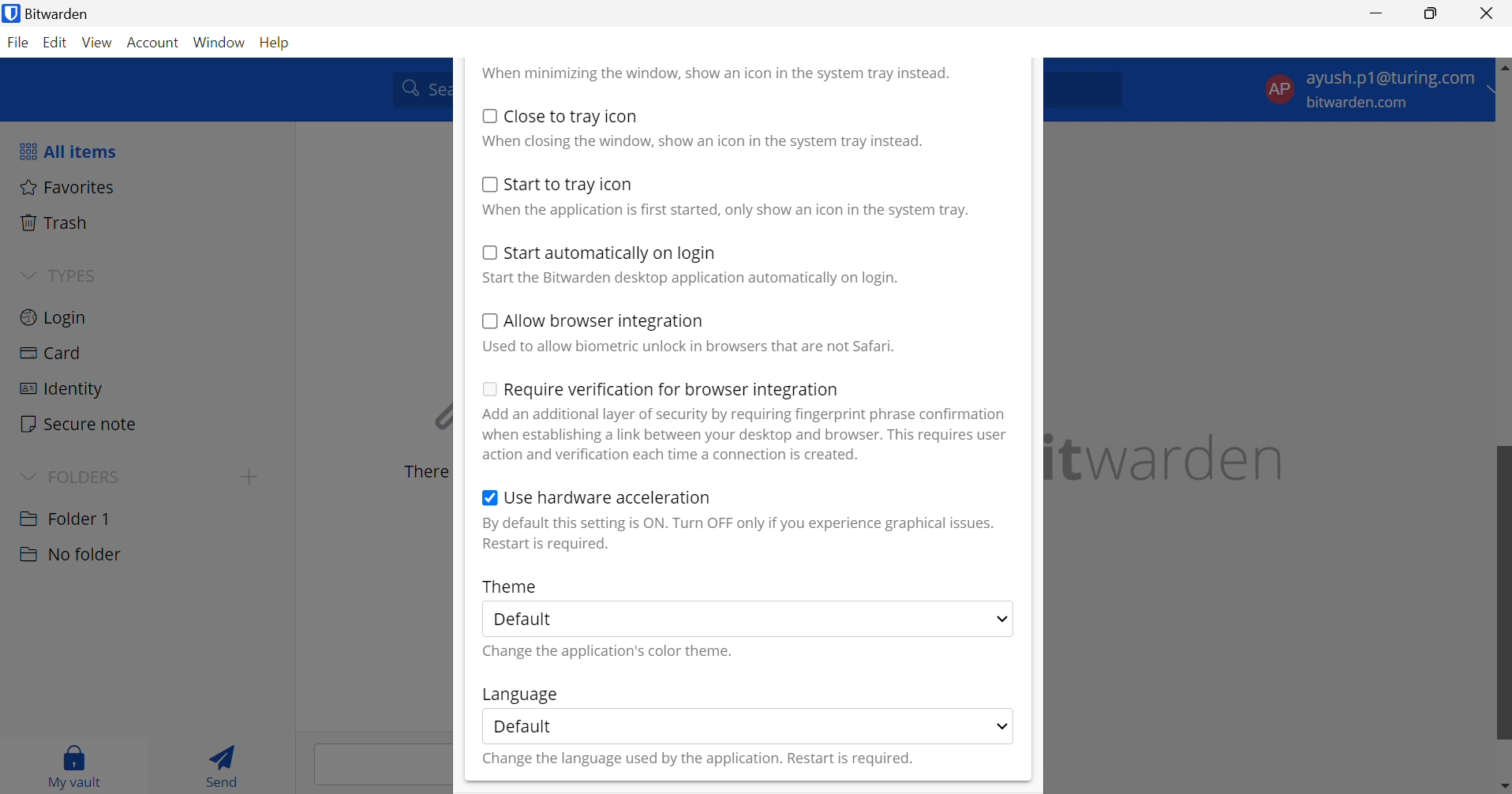 The image size is (1512, 794). I want to click on No folder, so click(69, 555).